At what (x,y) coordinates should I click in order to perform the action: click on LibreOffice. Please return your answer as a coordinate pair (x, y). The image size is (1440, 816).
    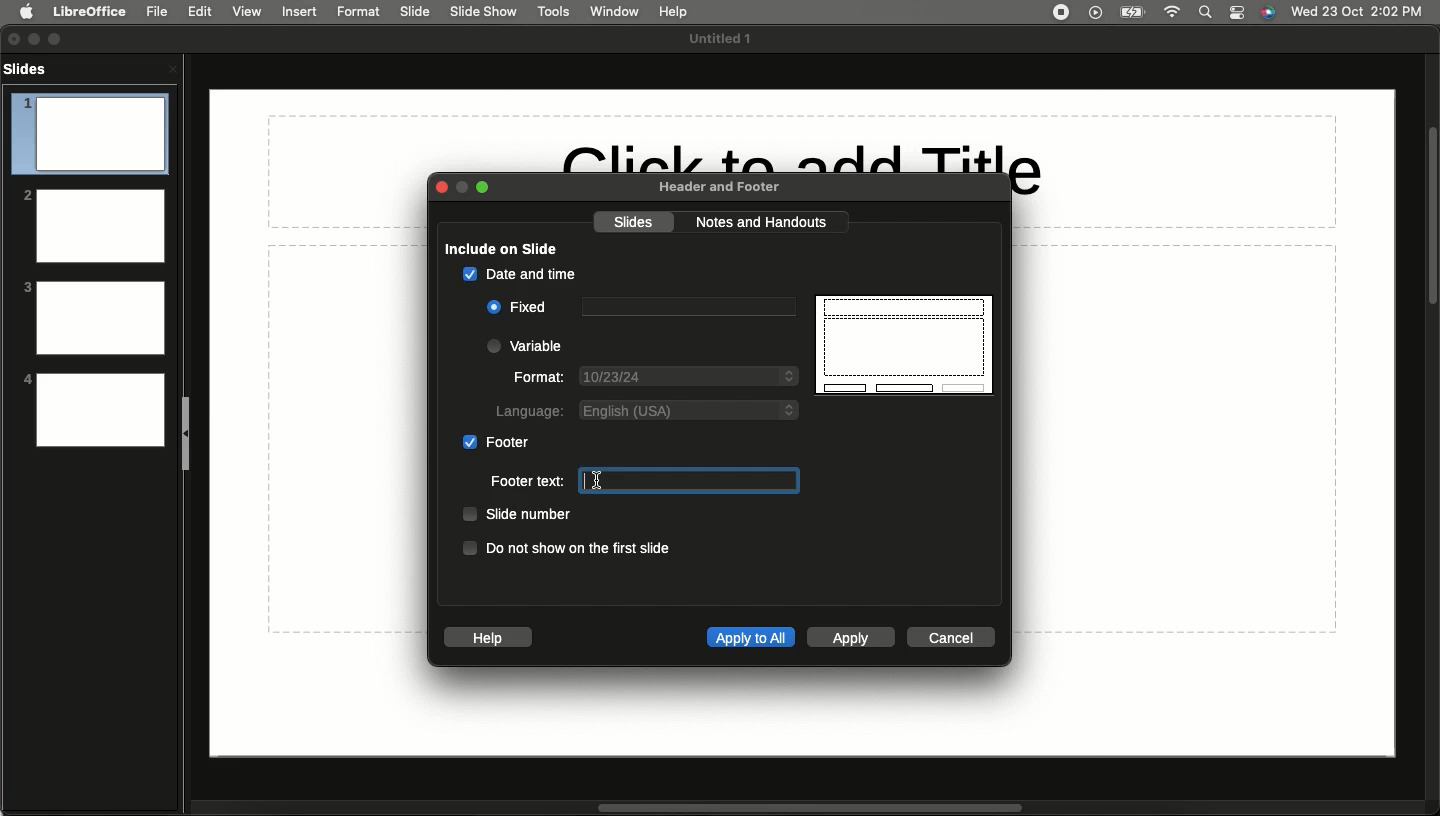
    Looking at the image, I should click on (88, 11).